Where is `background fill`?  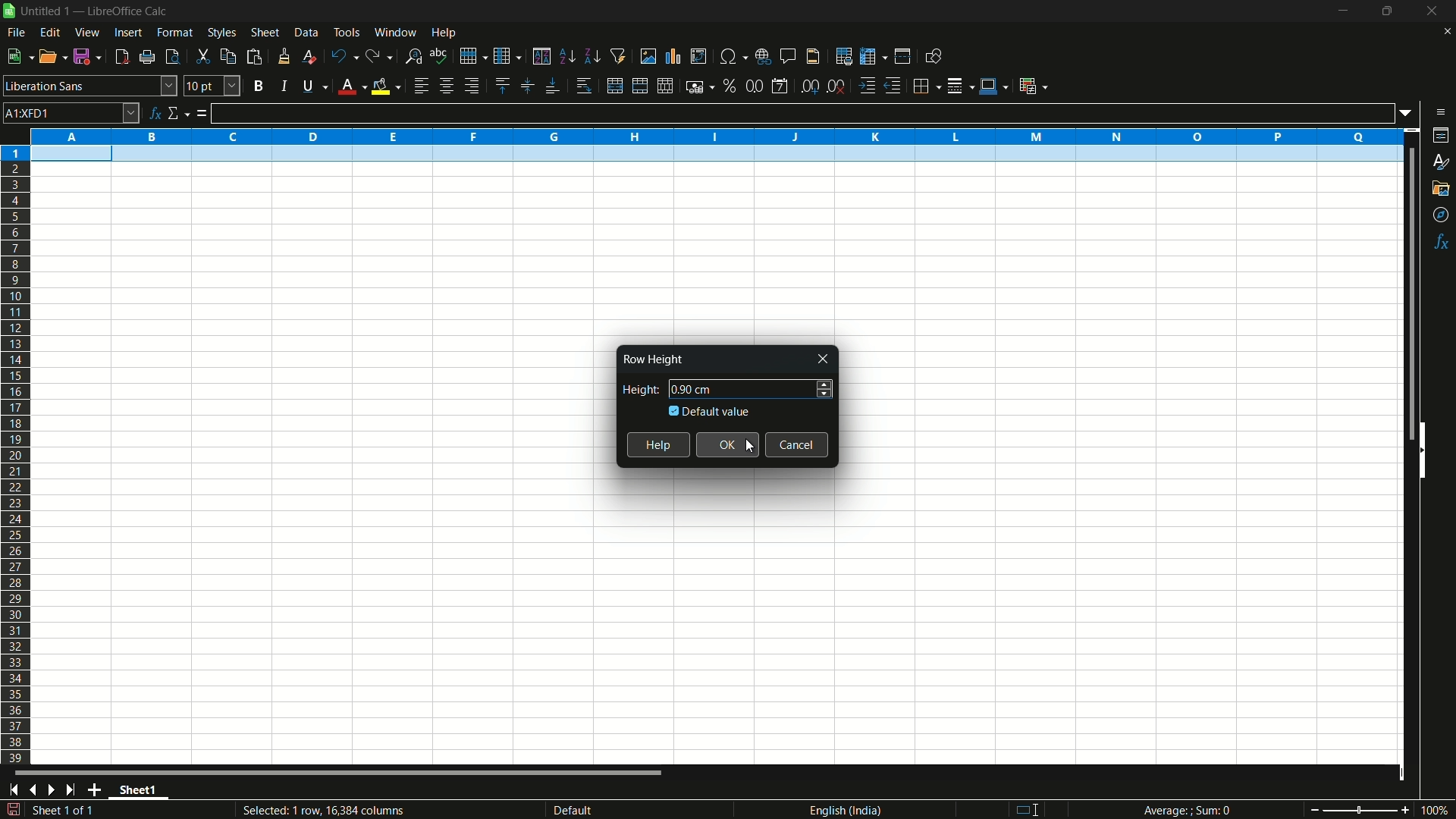 background fill is located at coordinates (385, 86).